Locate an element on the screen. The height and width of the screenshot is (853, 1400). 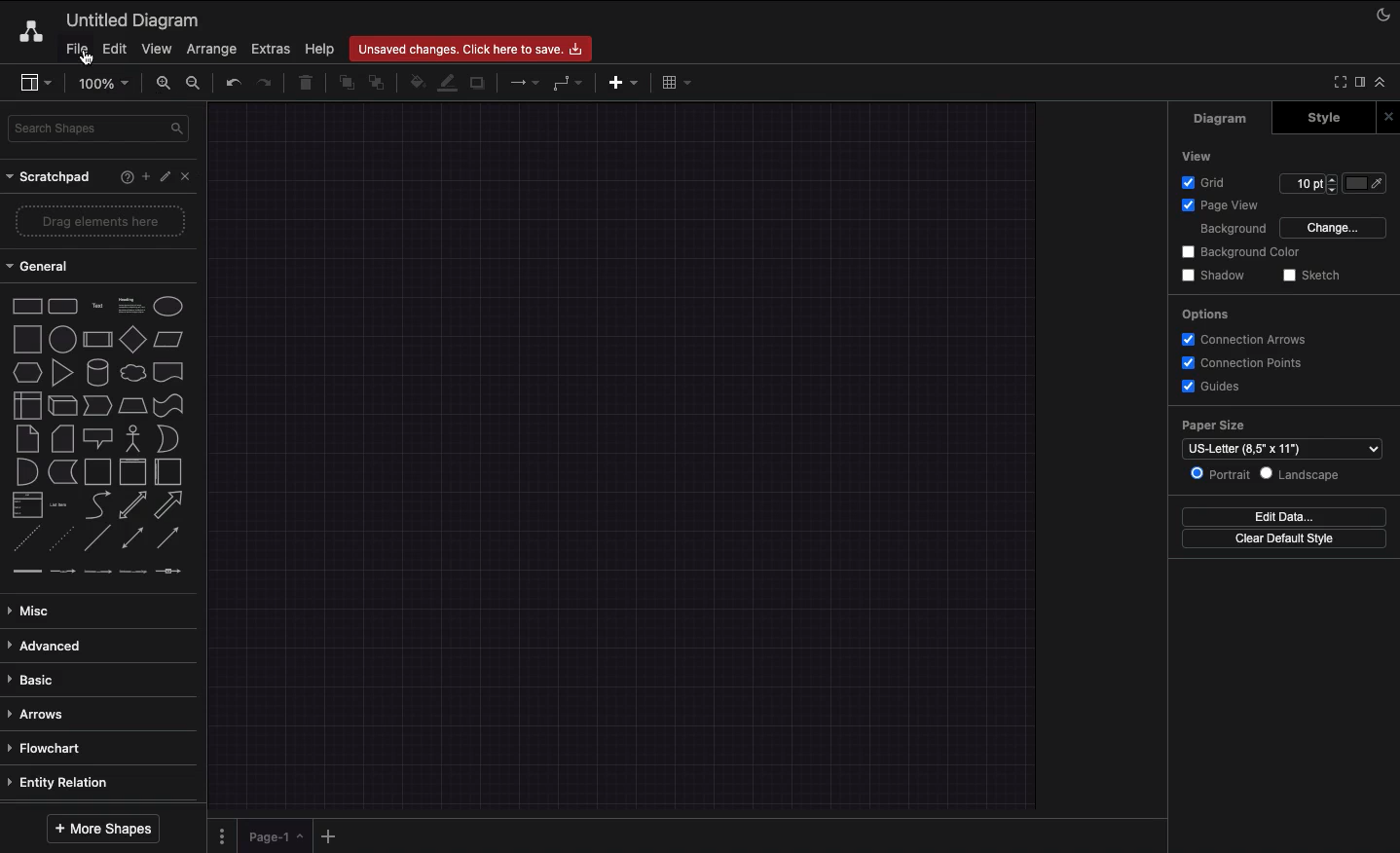
Guides is located at coordinates (1214, 388).